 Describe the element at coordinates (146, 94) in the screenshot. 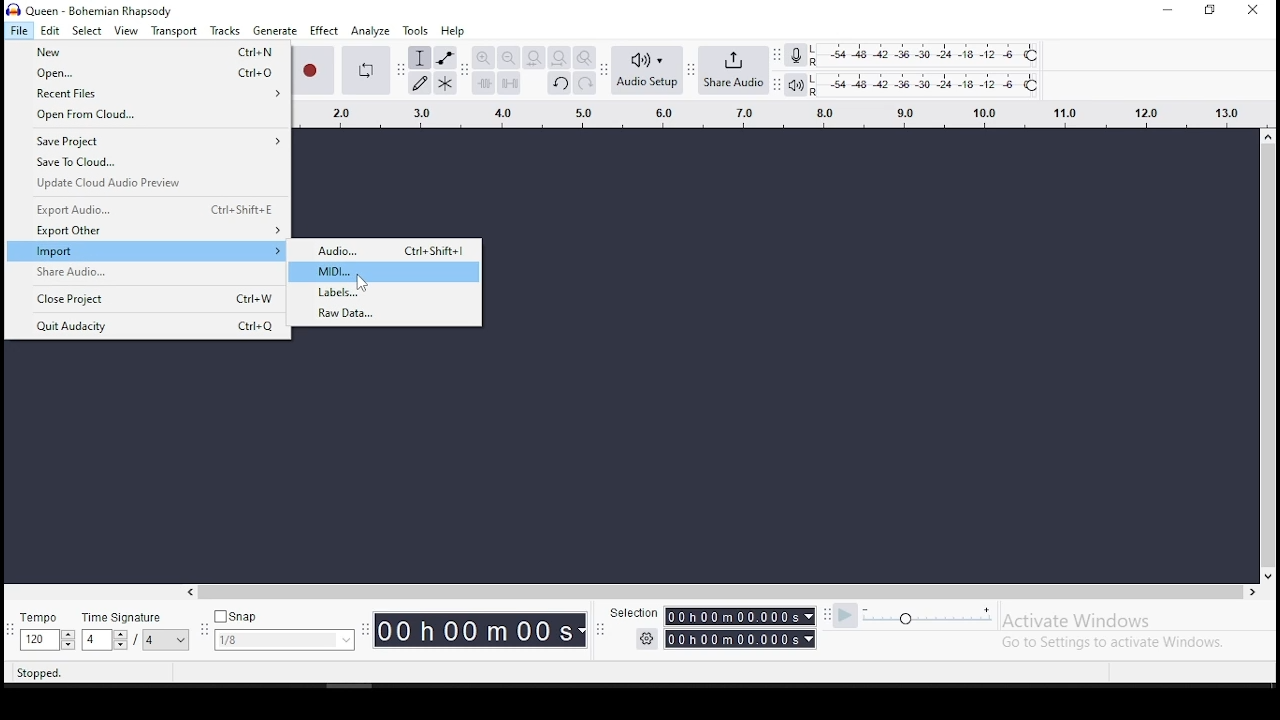

I see `recent files` at that location.